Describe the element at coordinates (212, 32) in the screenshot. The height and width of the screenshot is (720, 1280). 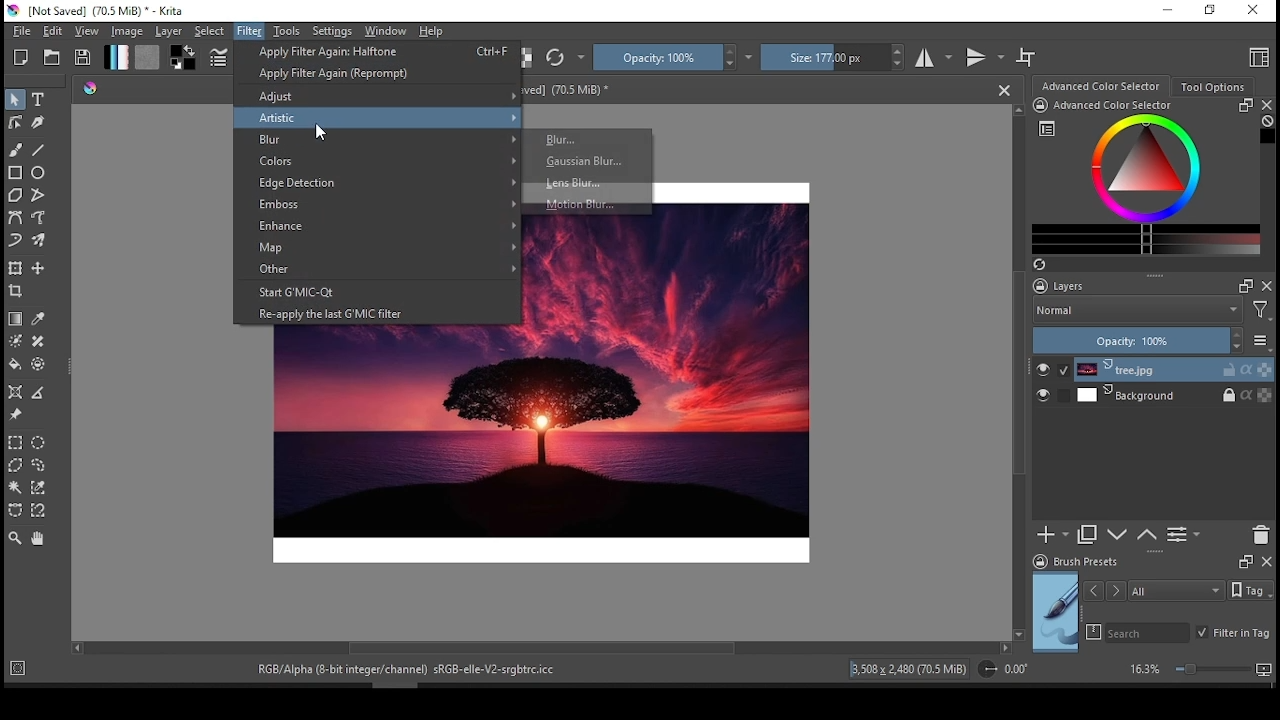
I see `select` at that location.